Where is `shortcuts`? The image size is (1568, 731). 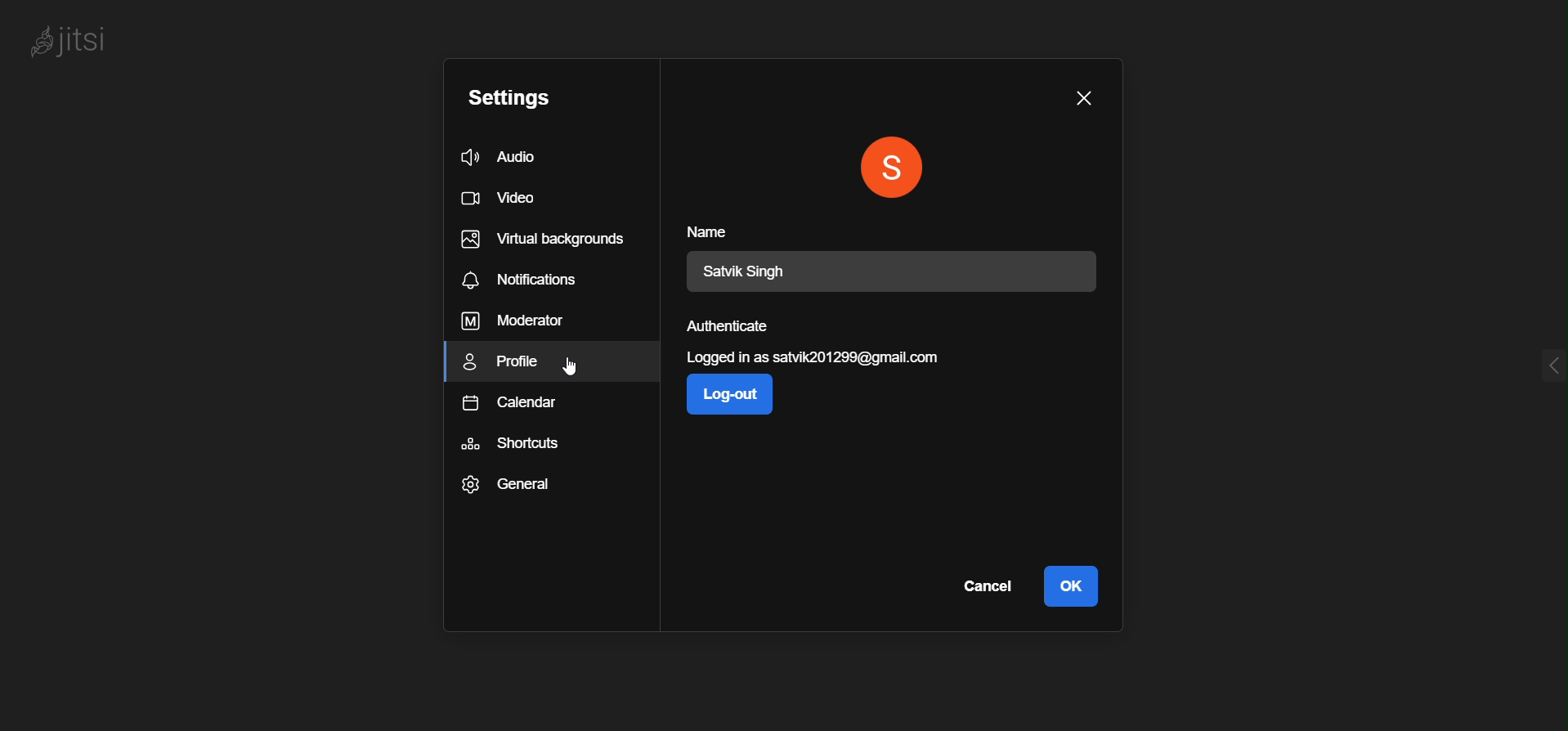 shortcuts is located at coordinates (513, 446).